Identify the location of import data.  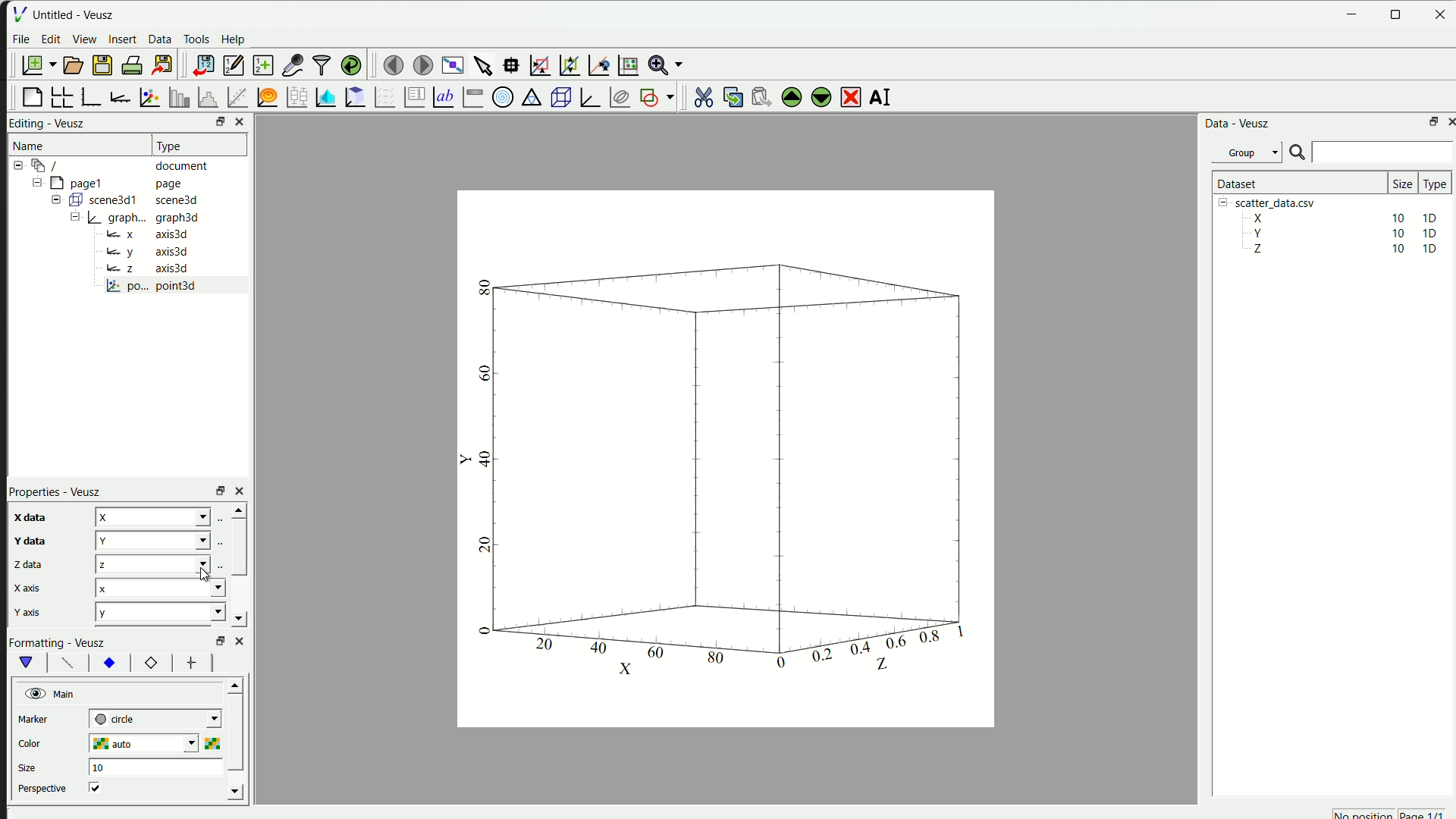
(200, 65).